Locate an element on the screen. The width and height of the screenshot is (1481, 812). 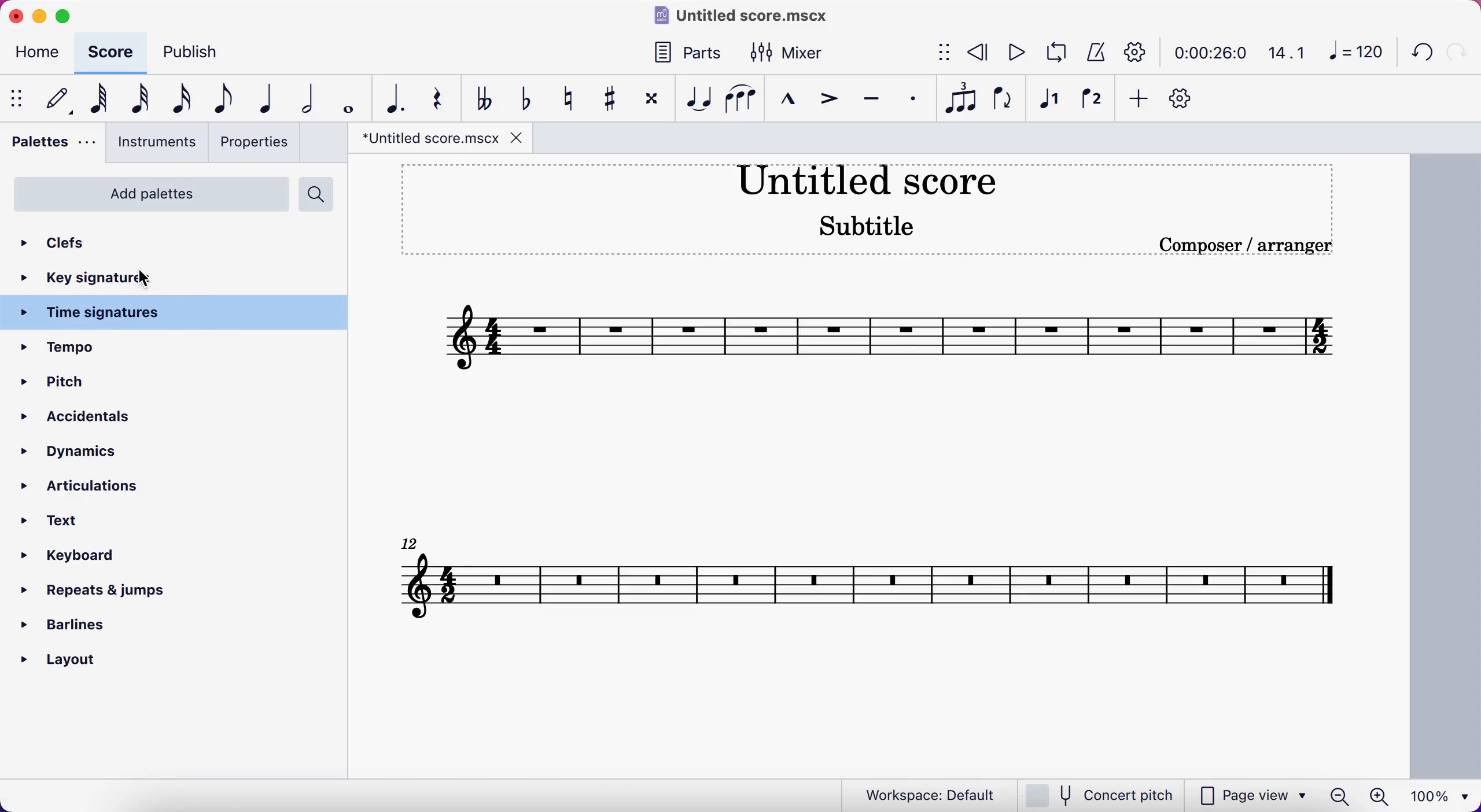
properties is located at coordinates (256, 144).